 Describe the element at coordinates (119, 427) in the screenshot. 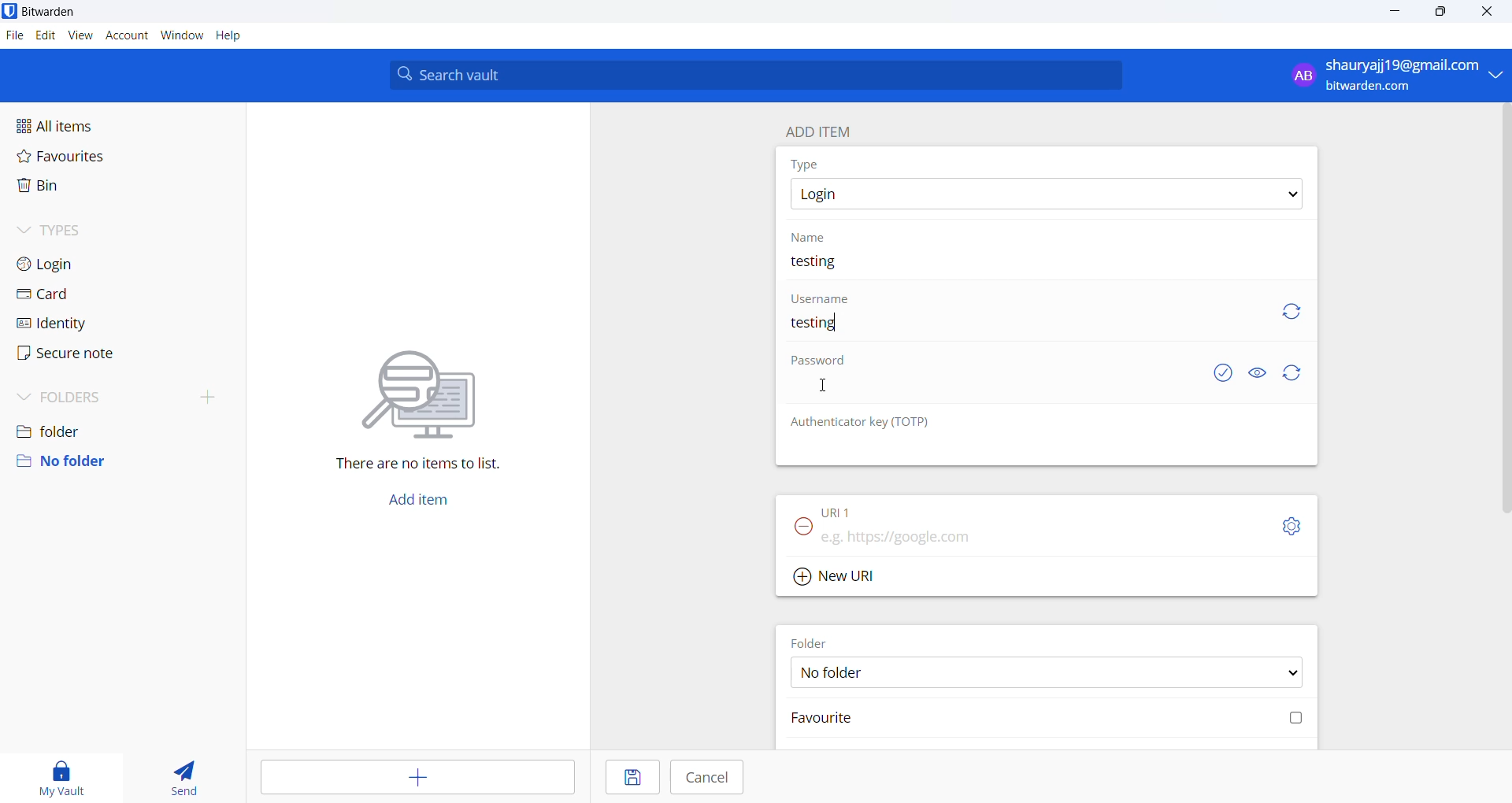

I see `folder` at that location.